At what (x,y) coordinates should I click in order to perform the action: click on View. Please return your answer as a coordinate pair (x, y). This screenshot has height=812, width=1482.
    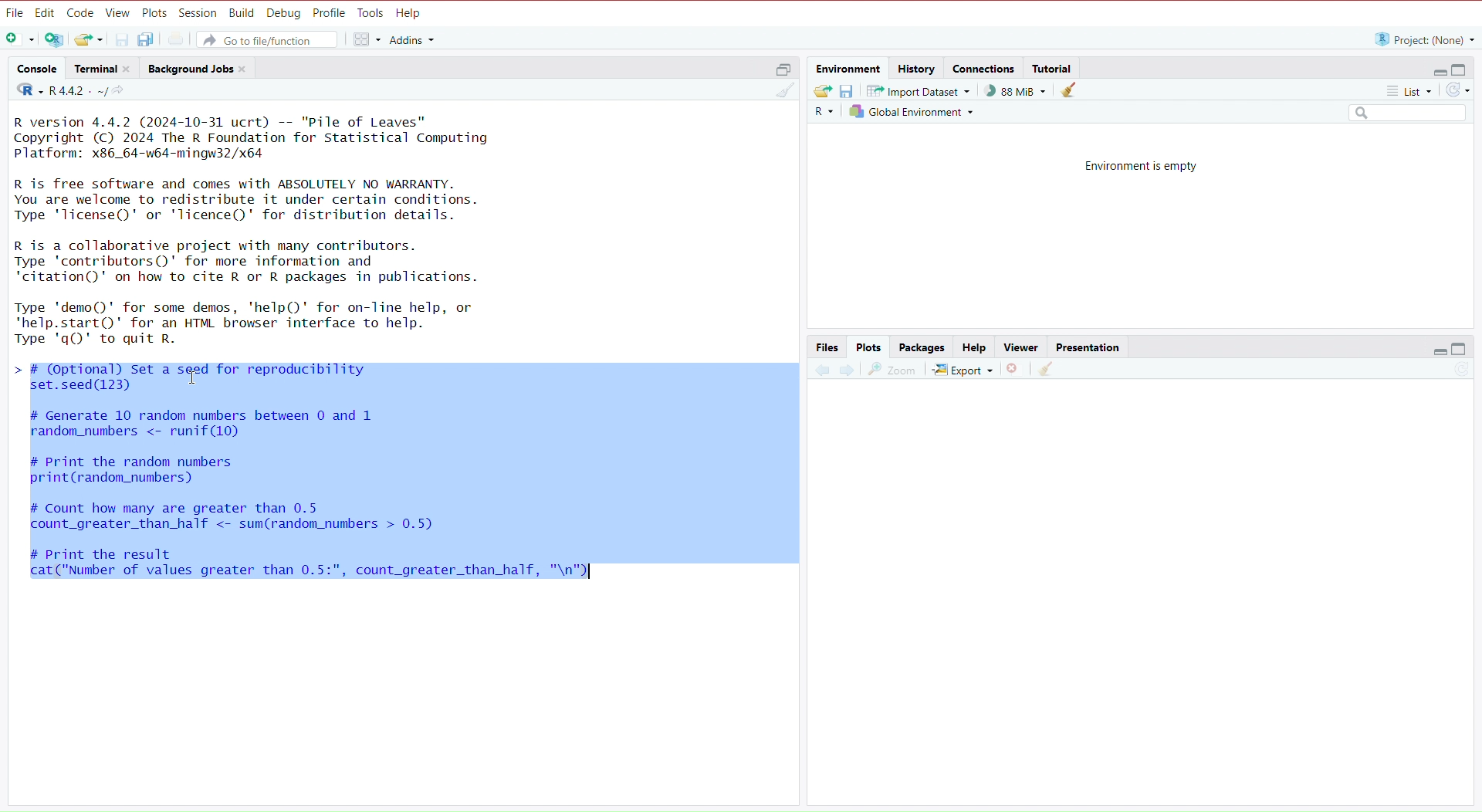
    Looking at the image, I should click on (118, 12).